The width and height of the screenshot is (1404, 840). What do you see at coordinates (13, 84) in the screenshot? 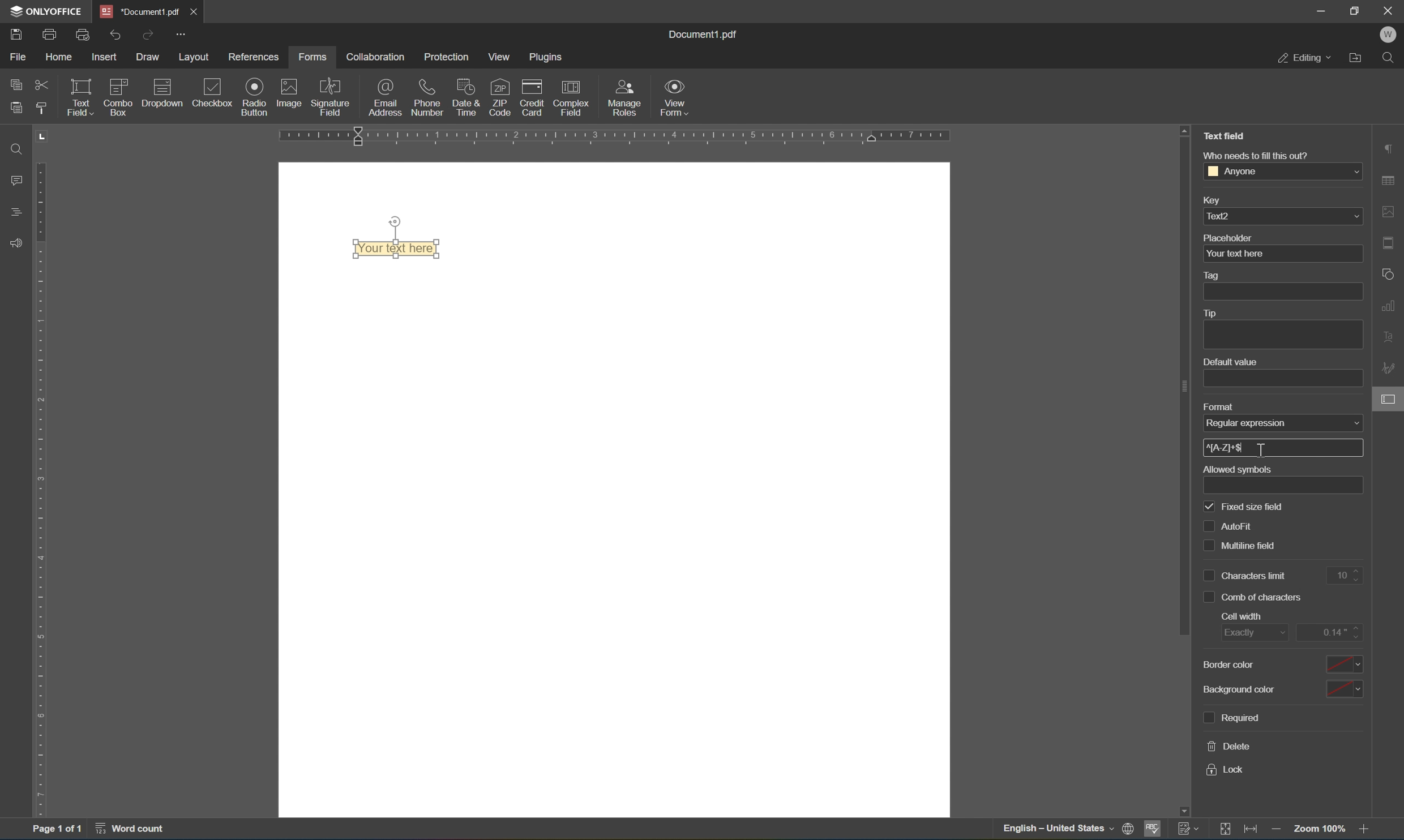
I see `copy` at bounding box center [13, 84].